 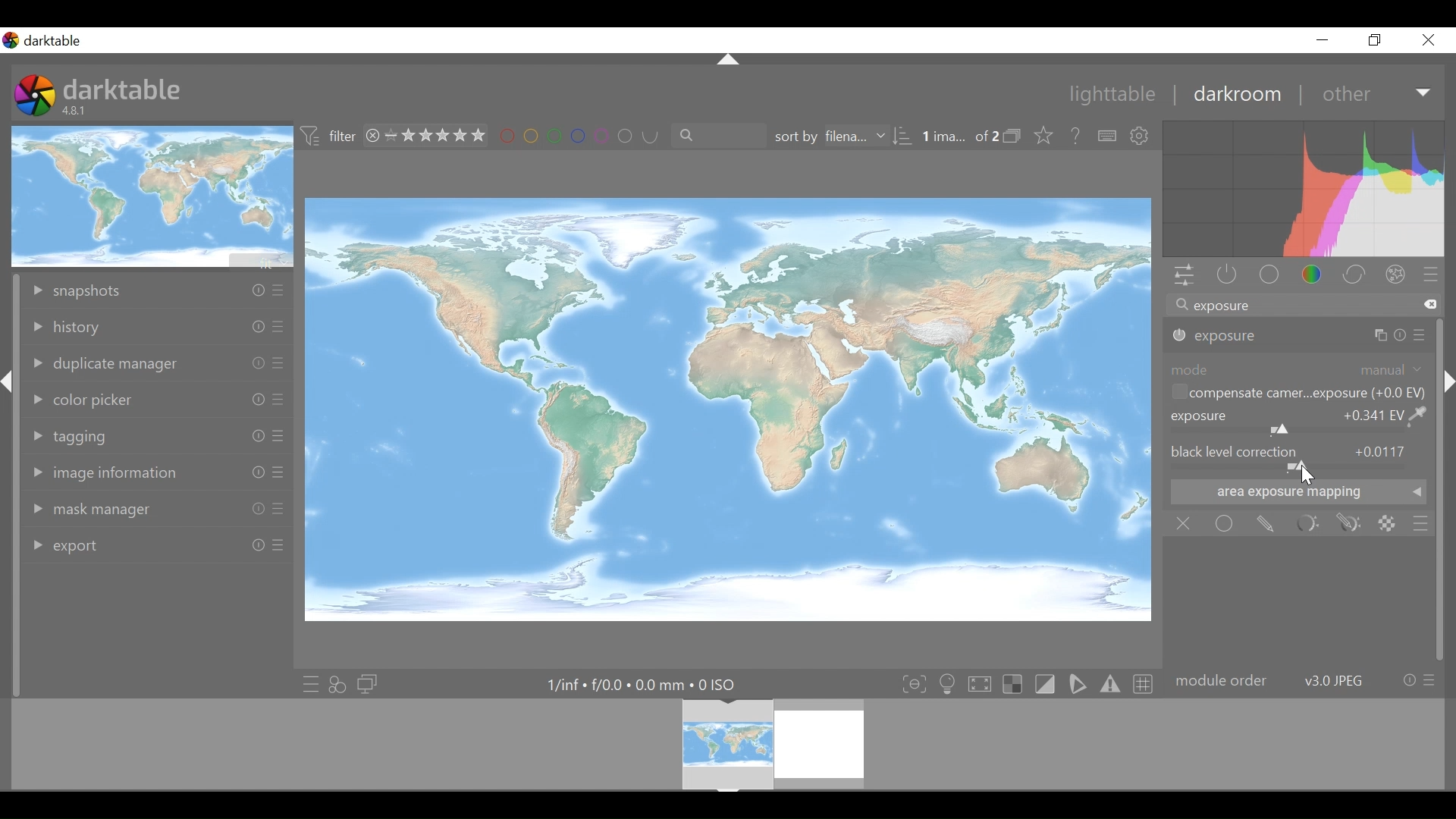 I want to click on display a second darkroom to display, so click(x=369, y=683).